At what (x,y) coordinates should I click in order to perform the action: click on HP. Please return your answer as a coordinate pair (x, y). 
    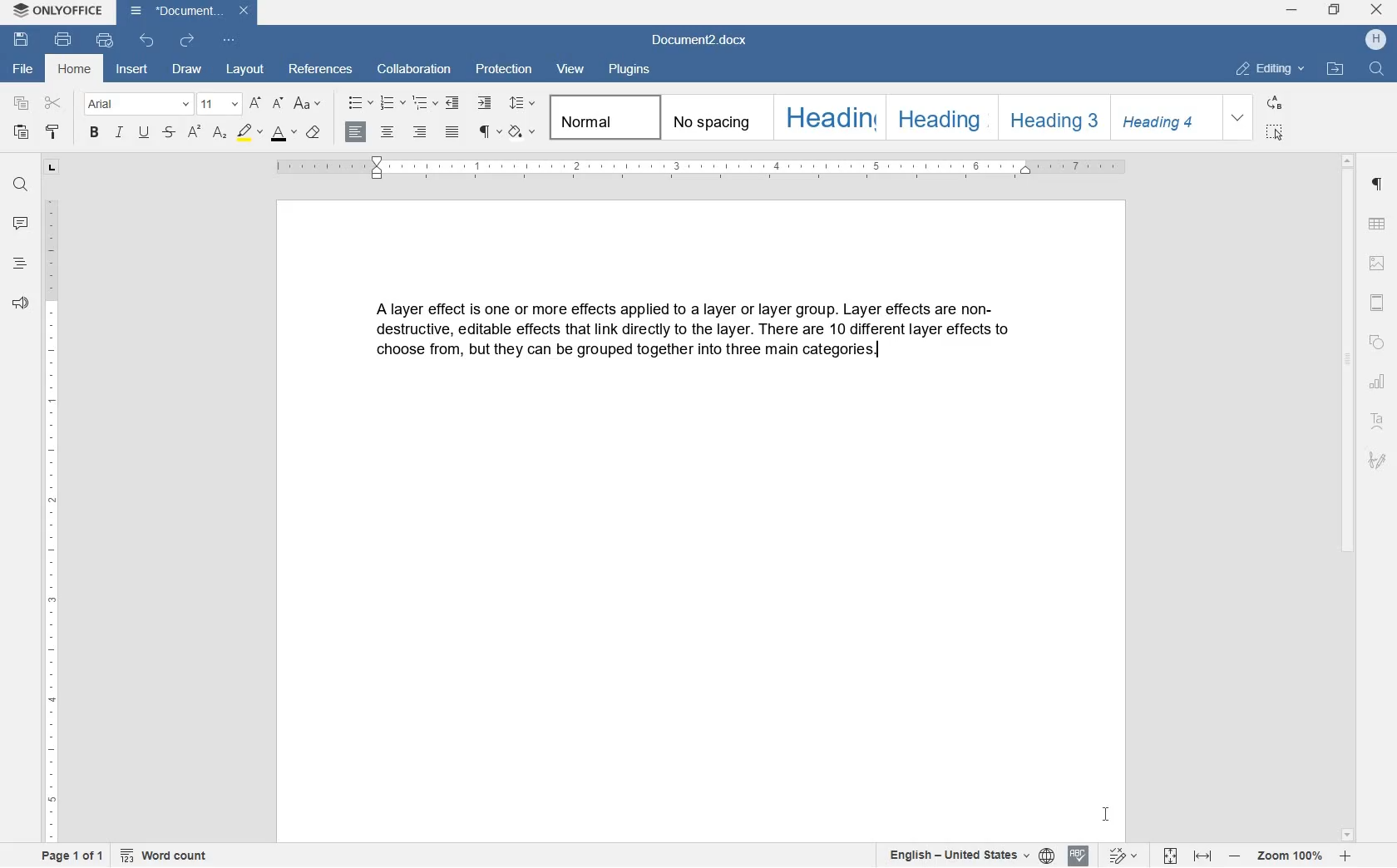
    Looking at the image, I should click on (1375, 40).